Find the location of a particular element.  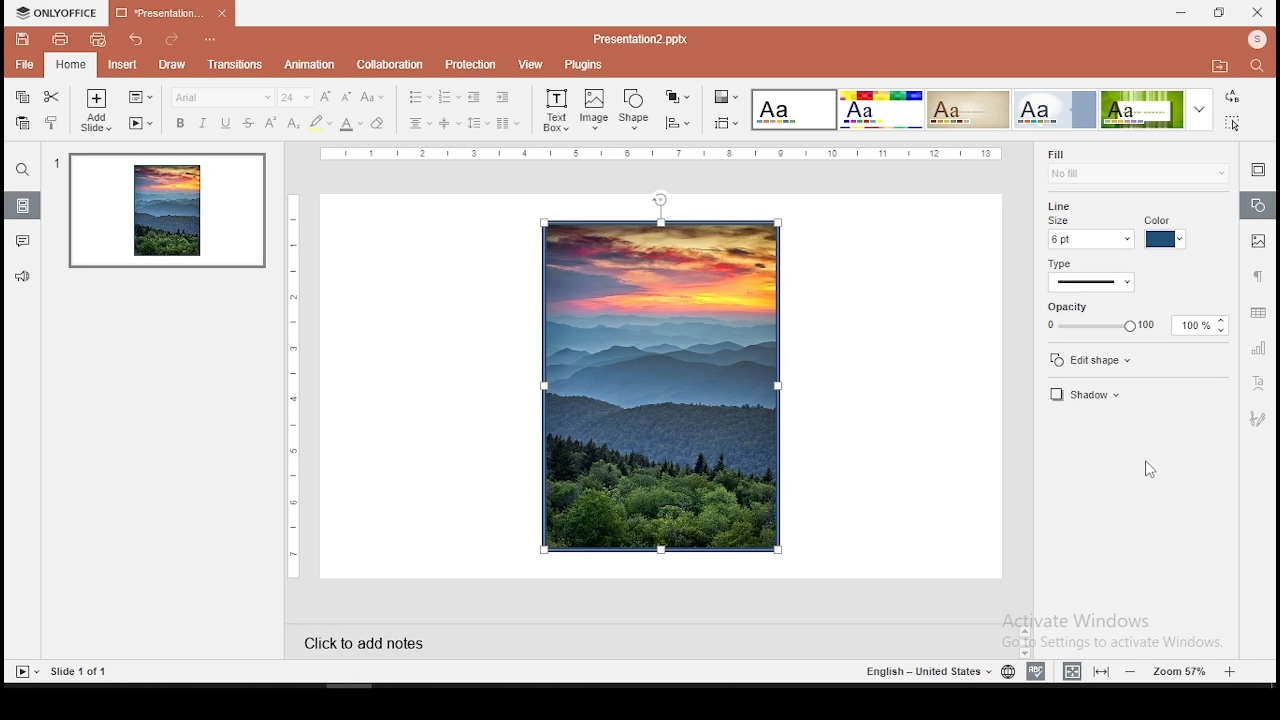

horizontal scale is located at coordinates (668, 154).